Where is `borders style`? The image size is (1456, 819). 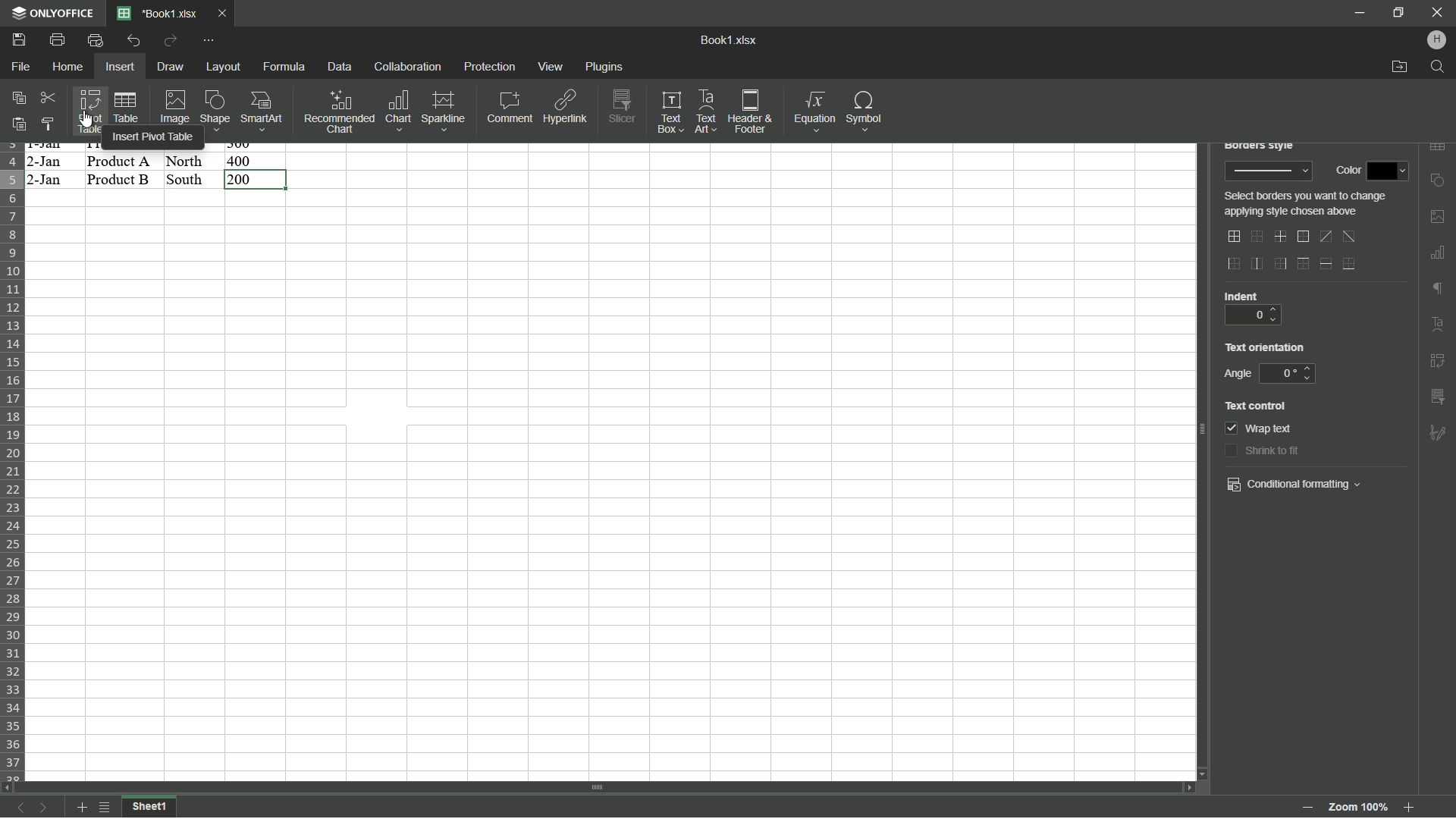 borders style is located at coordinates (1258, 147).